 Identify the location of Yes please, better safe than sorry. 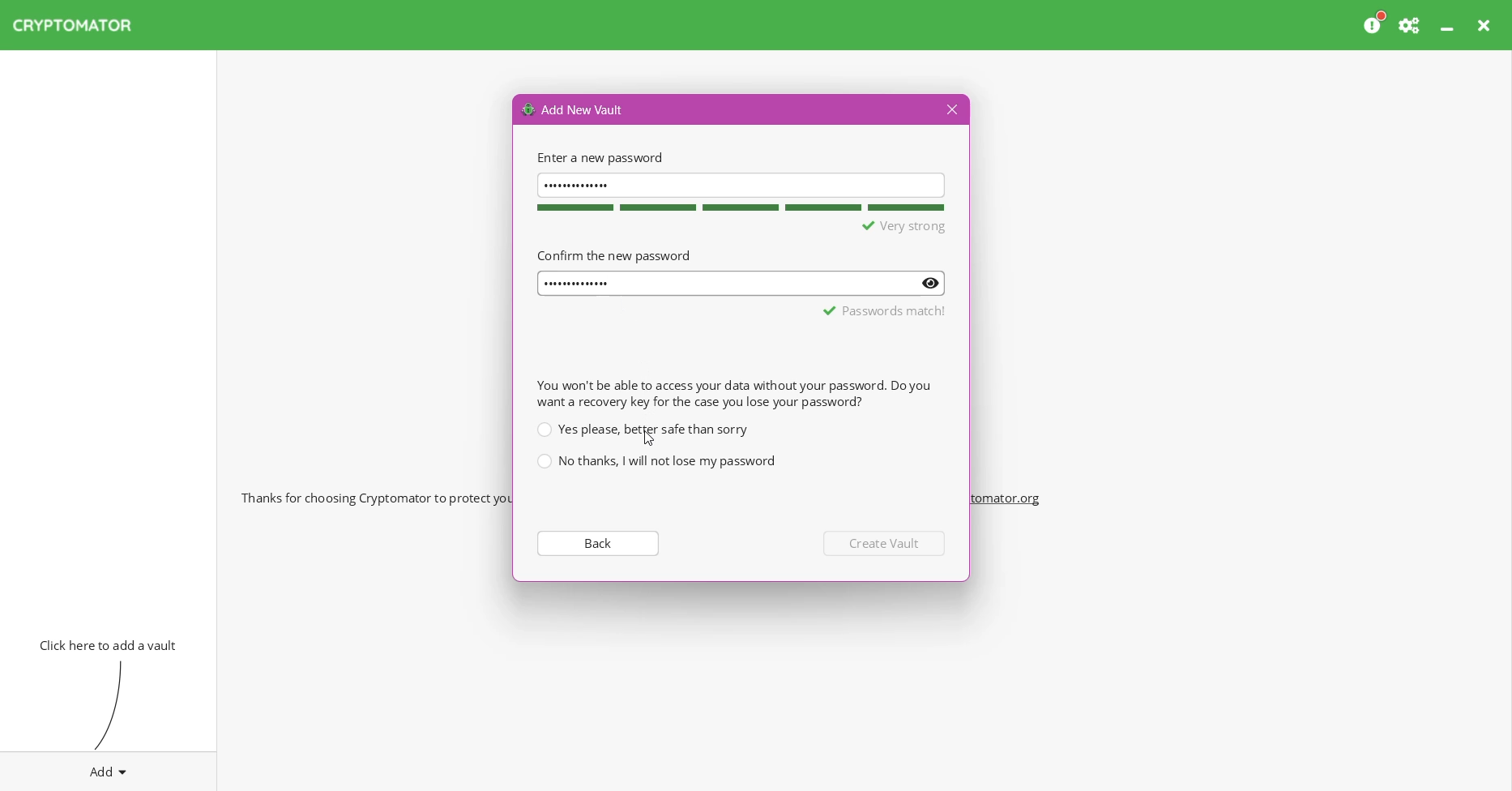
(642, 429).